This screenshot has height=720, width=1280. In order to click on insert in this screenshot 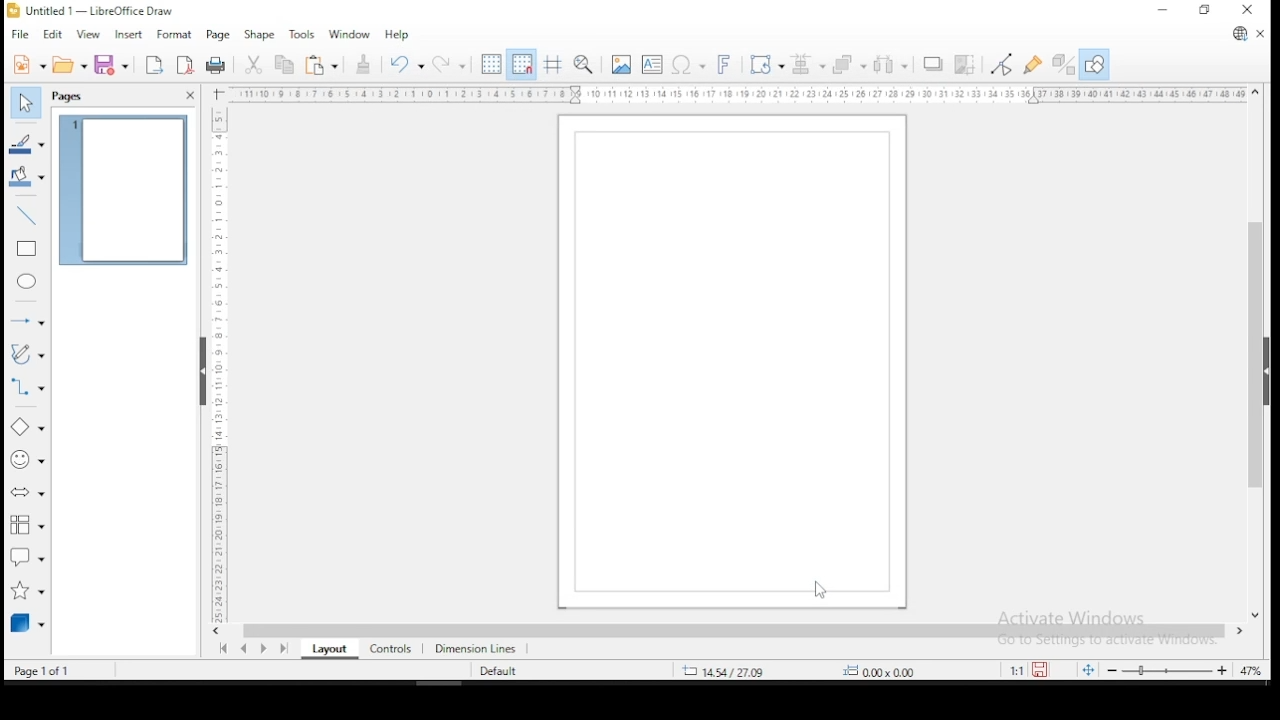, I will do `click(130, 36)`.